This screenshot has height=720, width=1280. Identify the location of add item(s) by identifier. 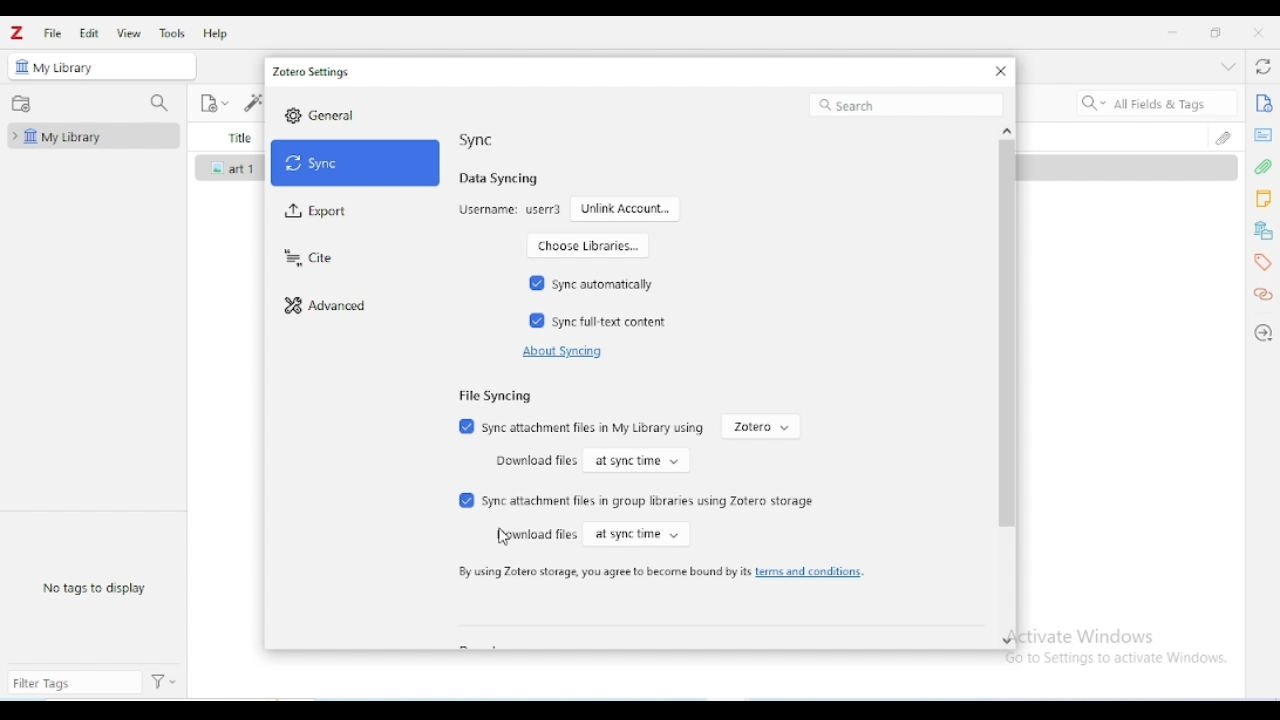
(251, 102).